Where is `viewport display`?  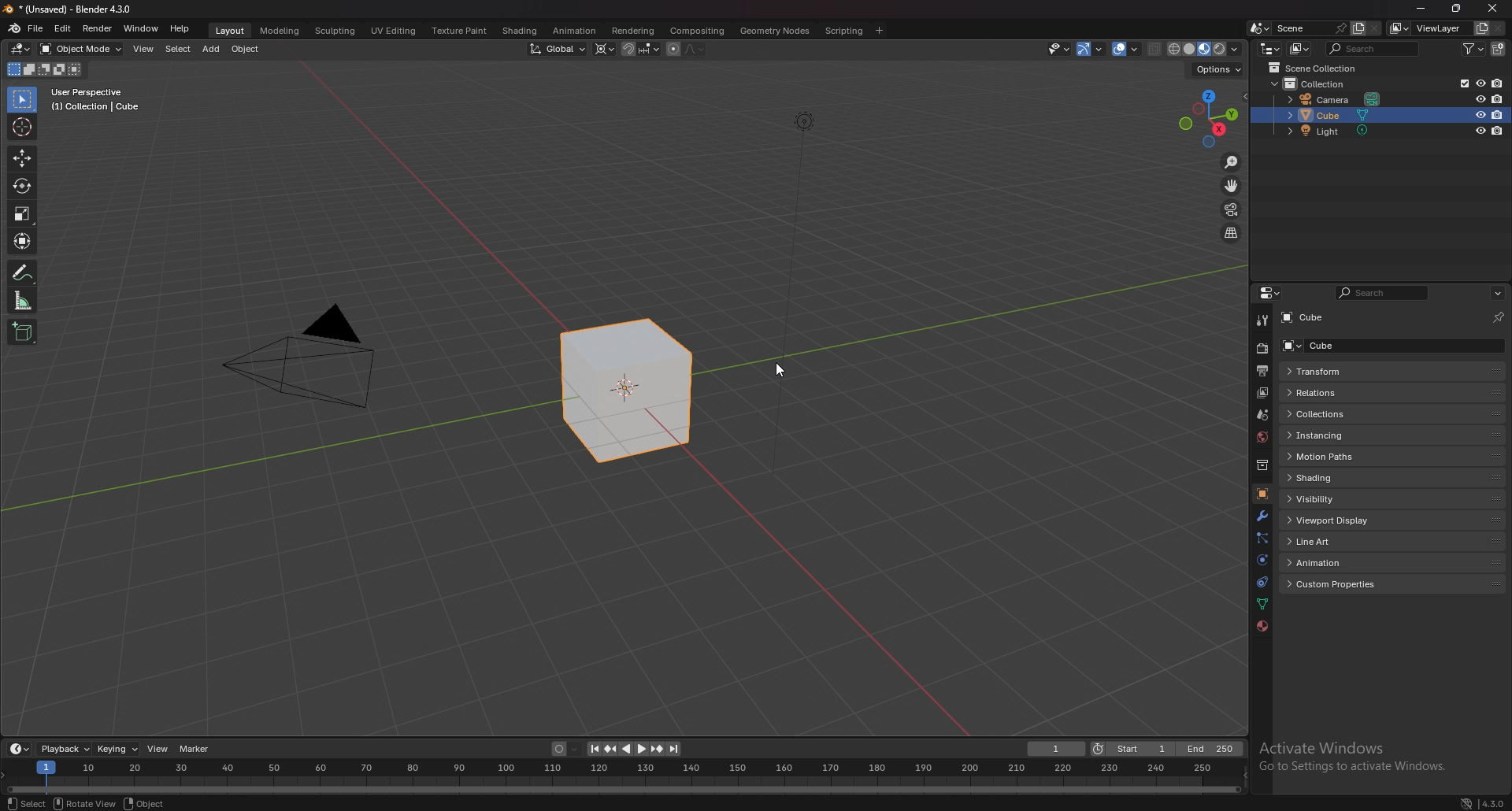 viewport display is located at coordinates (1335, 519).